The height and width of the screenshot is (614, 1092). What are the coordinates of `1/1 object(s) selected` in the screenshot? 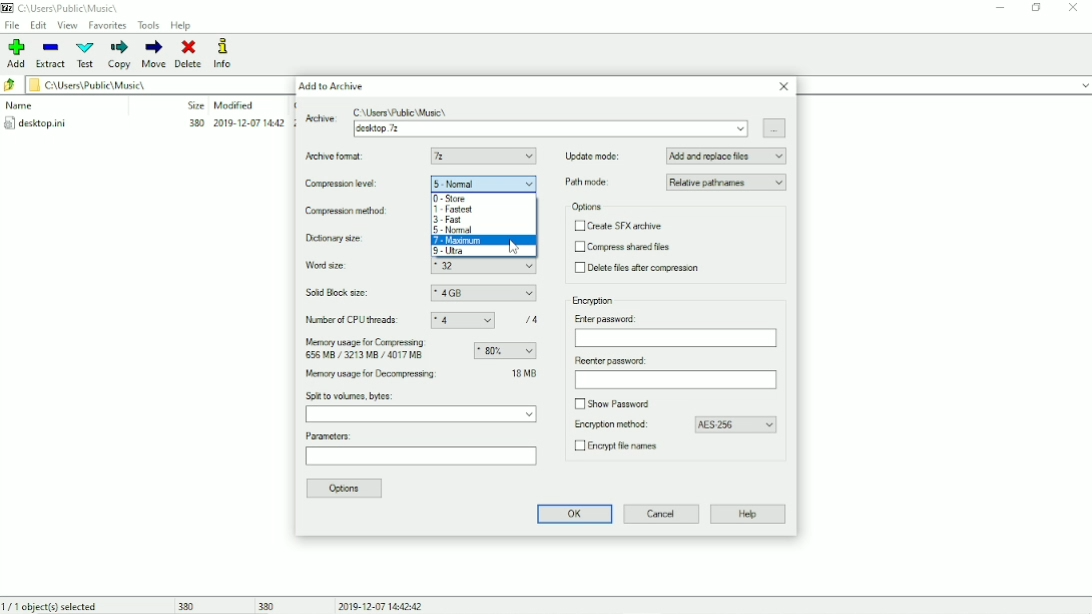 It's located at (53, 605).